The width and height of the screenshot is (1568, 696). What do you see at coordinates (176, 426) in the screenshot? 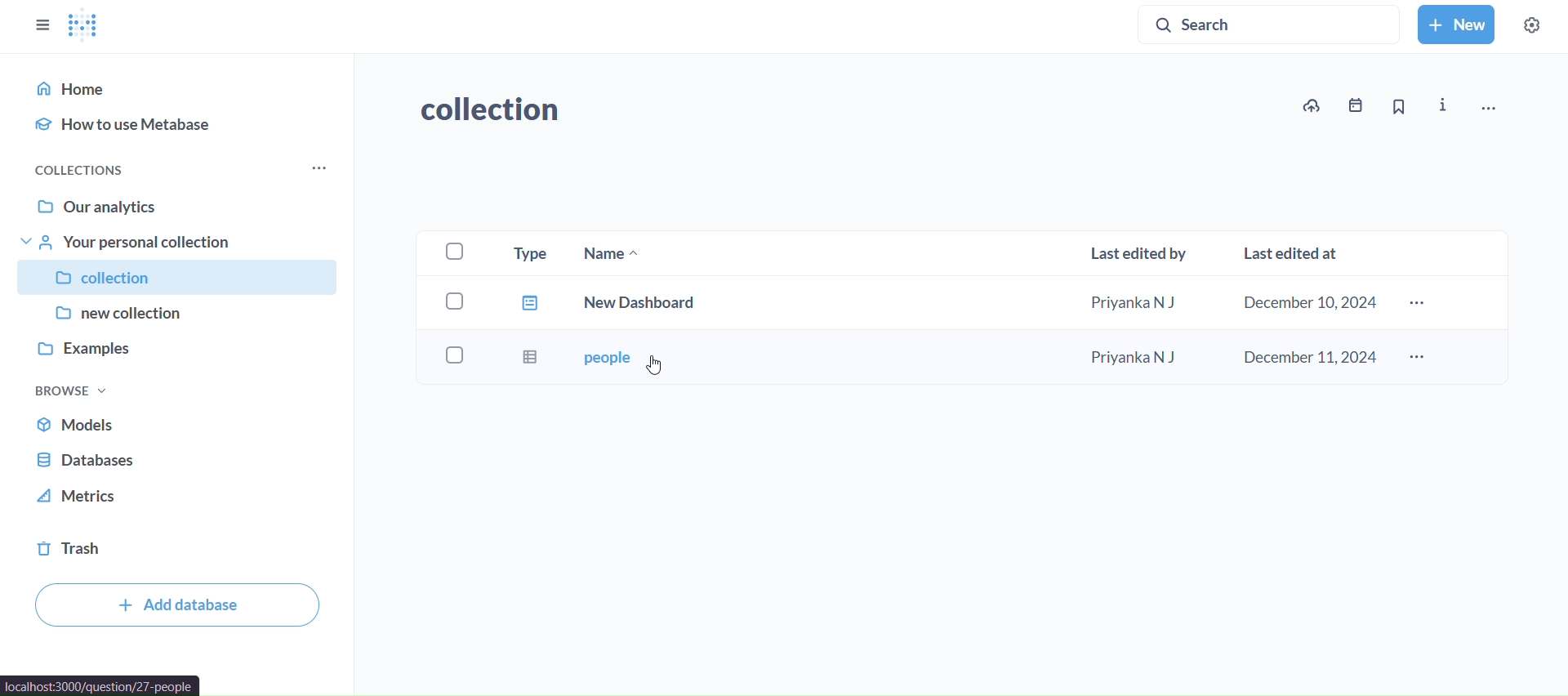
I see `models` at bounding box center [176, 426].